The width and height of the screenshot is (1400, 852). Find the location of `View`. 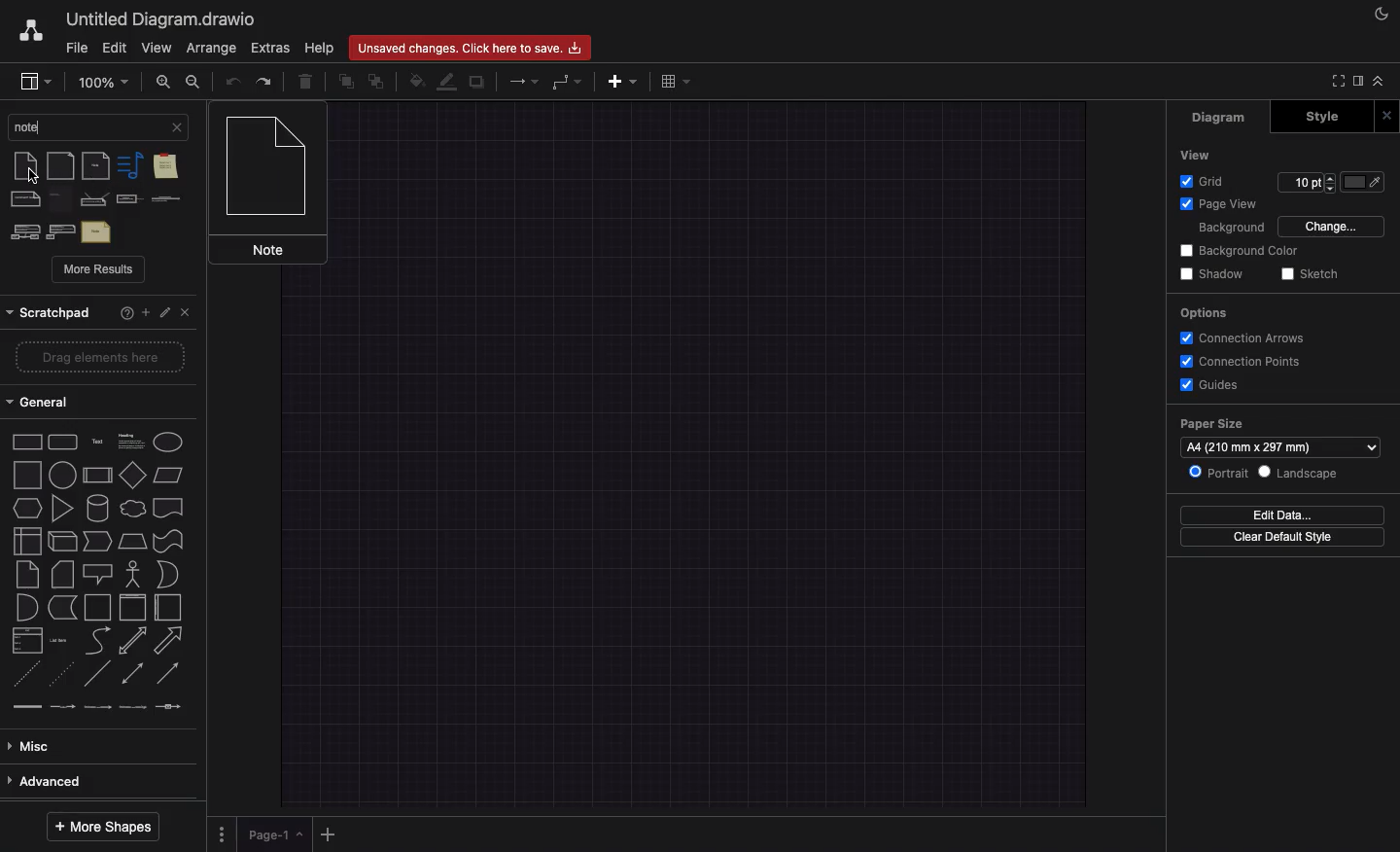

View is located at coordinates (156, 48).